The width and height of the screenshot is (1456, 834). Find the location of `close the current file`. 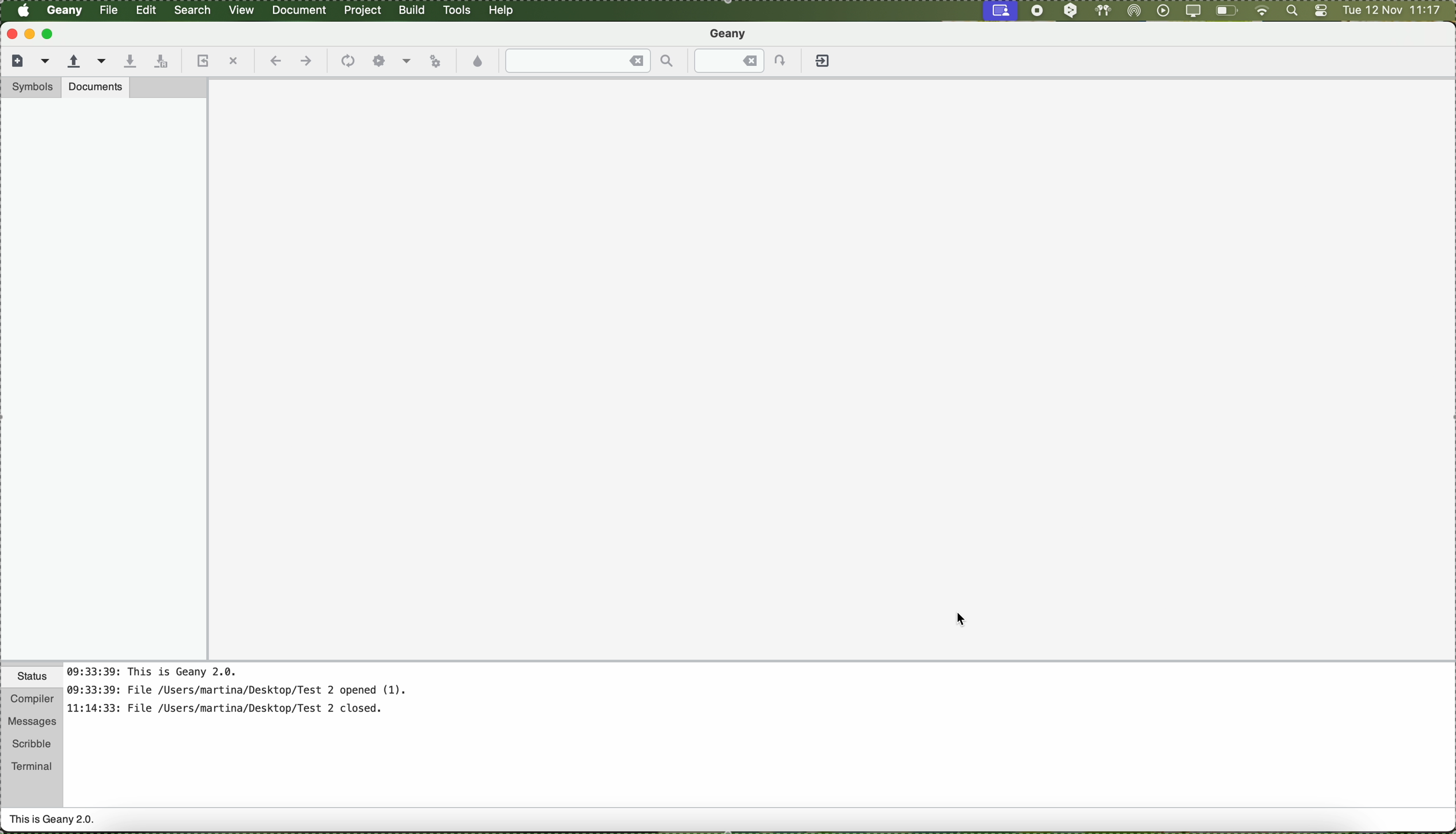

close the current file is located at coordinates (233, 62).